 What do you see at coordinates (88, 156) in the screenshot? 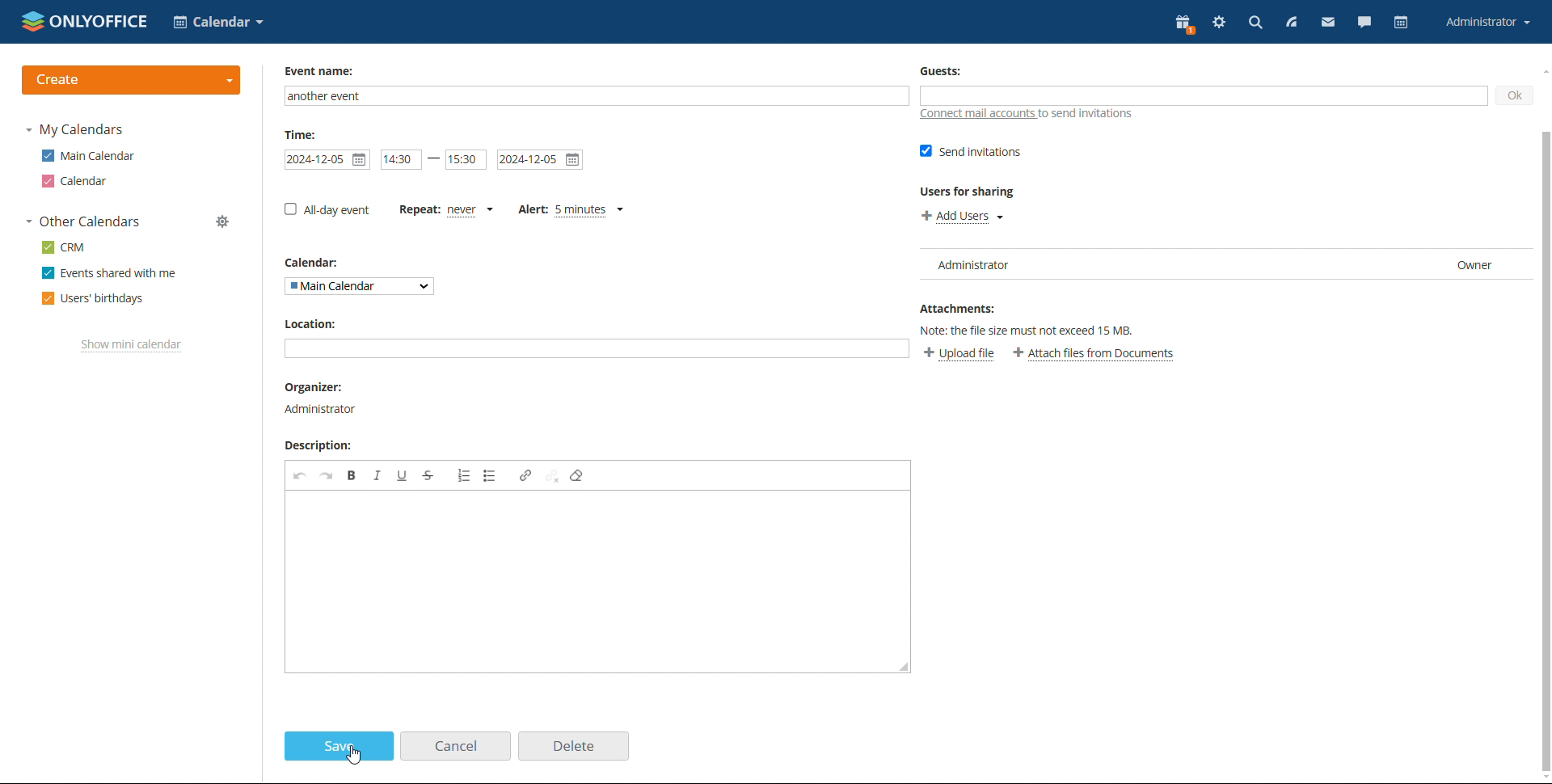
I see `main calendar` at bounding box center [88, 156].